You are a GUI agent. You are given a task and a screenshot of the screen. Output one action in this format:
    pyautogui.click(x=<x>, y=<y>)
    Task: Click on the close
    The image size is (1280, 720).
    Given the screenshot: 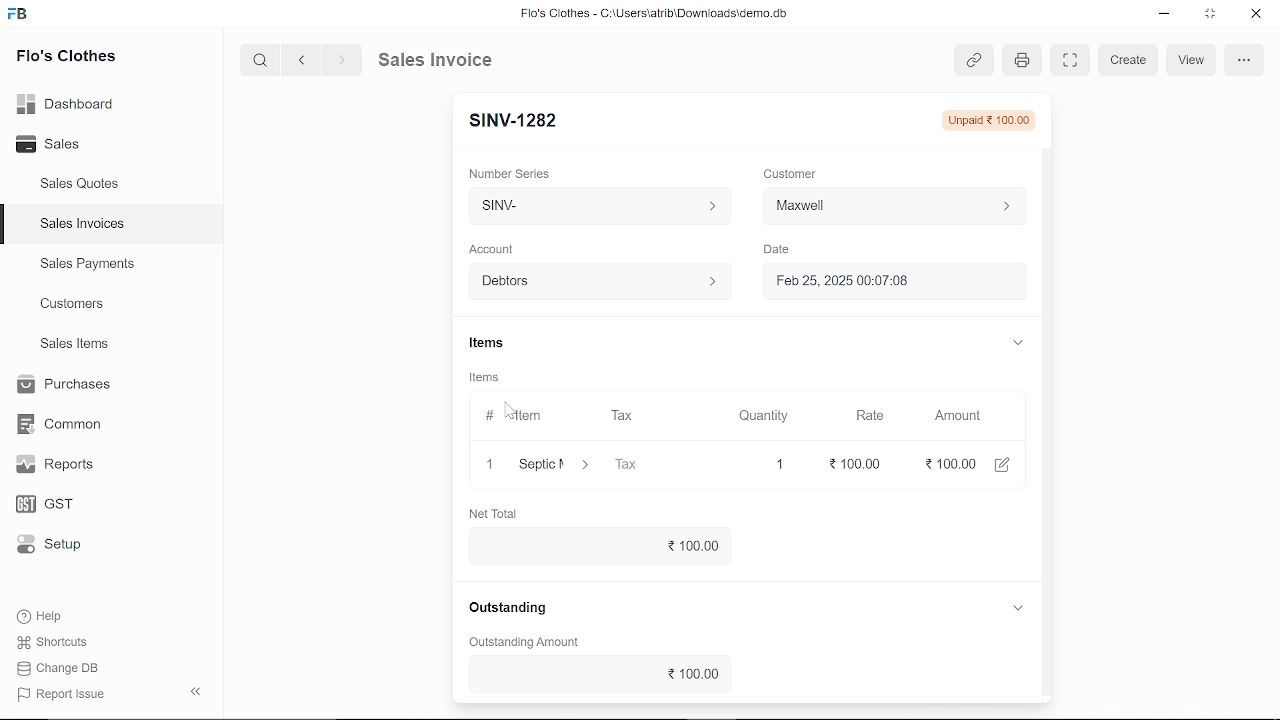 What is the action you would take?
    pyautogui.click(x=1254, y=12)
    